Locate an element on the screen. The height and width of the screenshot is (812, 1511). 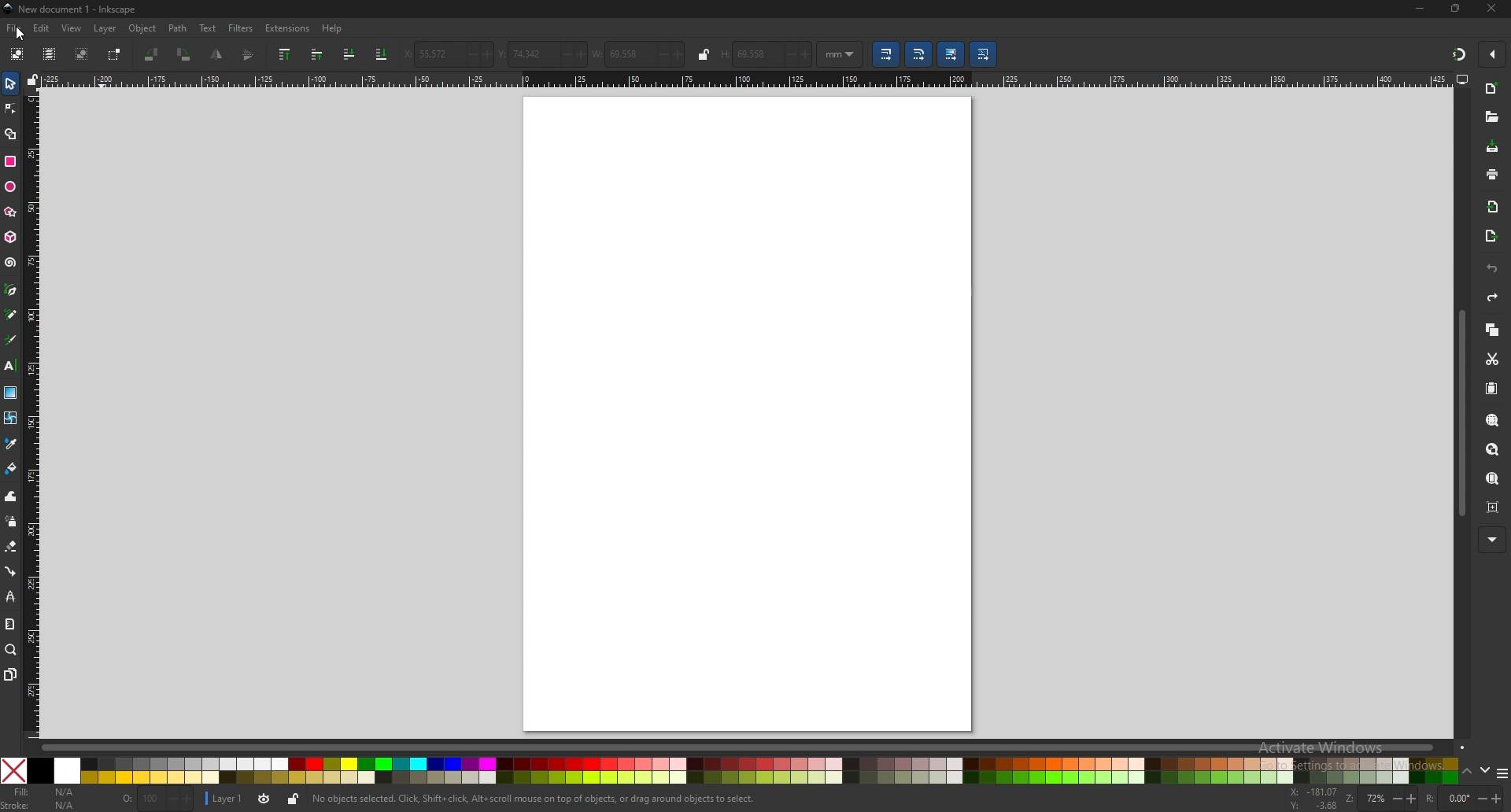
import is located at coordinates (1494, 209).